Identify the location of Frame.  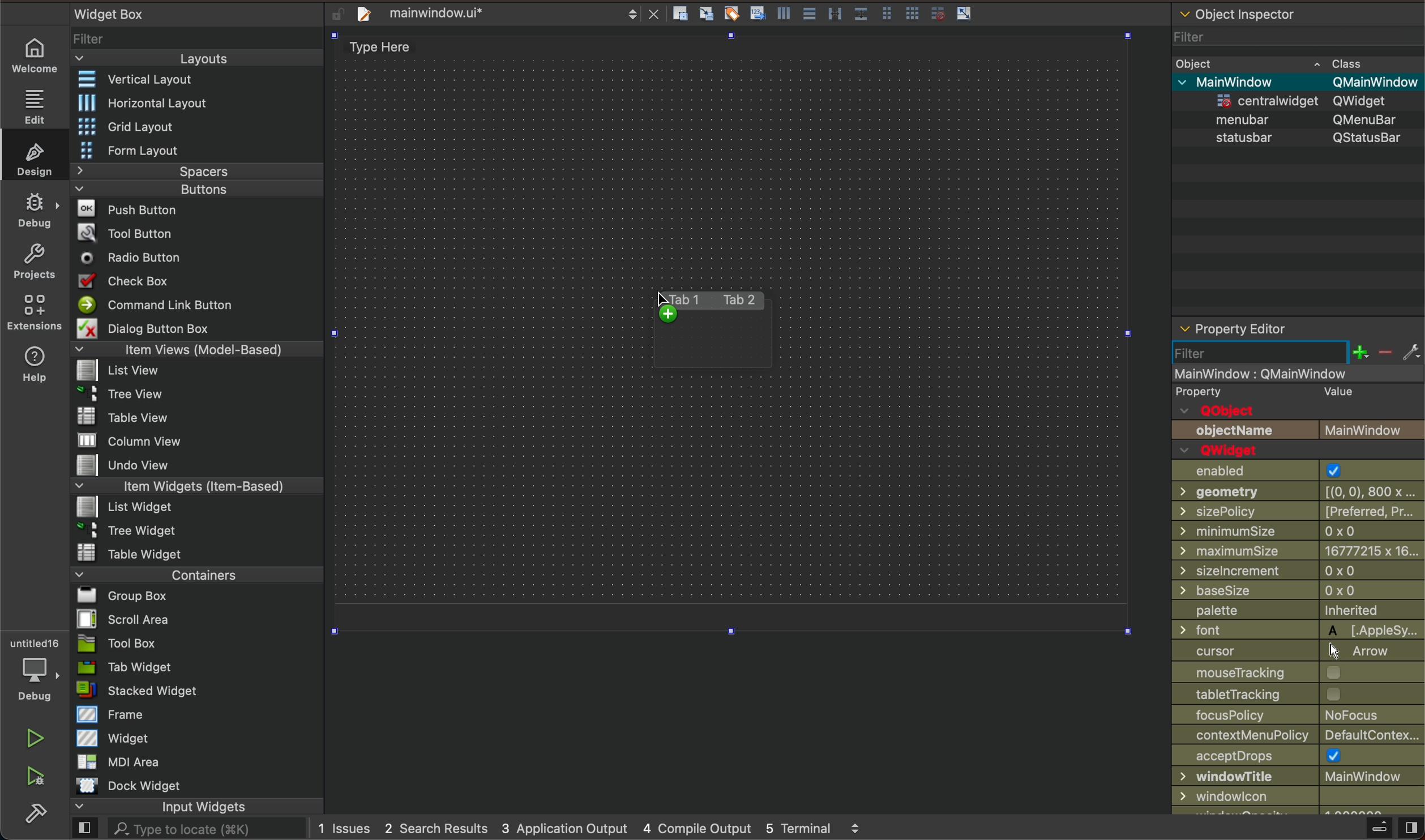
(105, 714).